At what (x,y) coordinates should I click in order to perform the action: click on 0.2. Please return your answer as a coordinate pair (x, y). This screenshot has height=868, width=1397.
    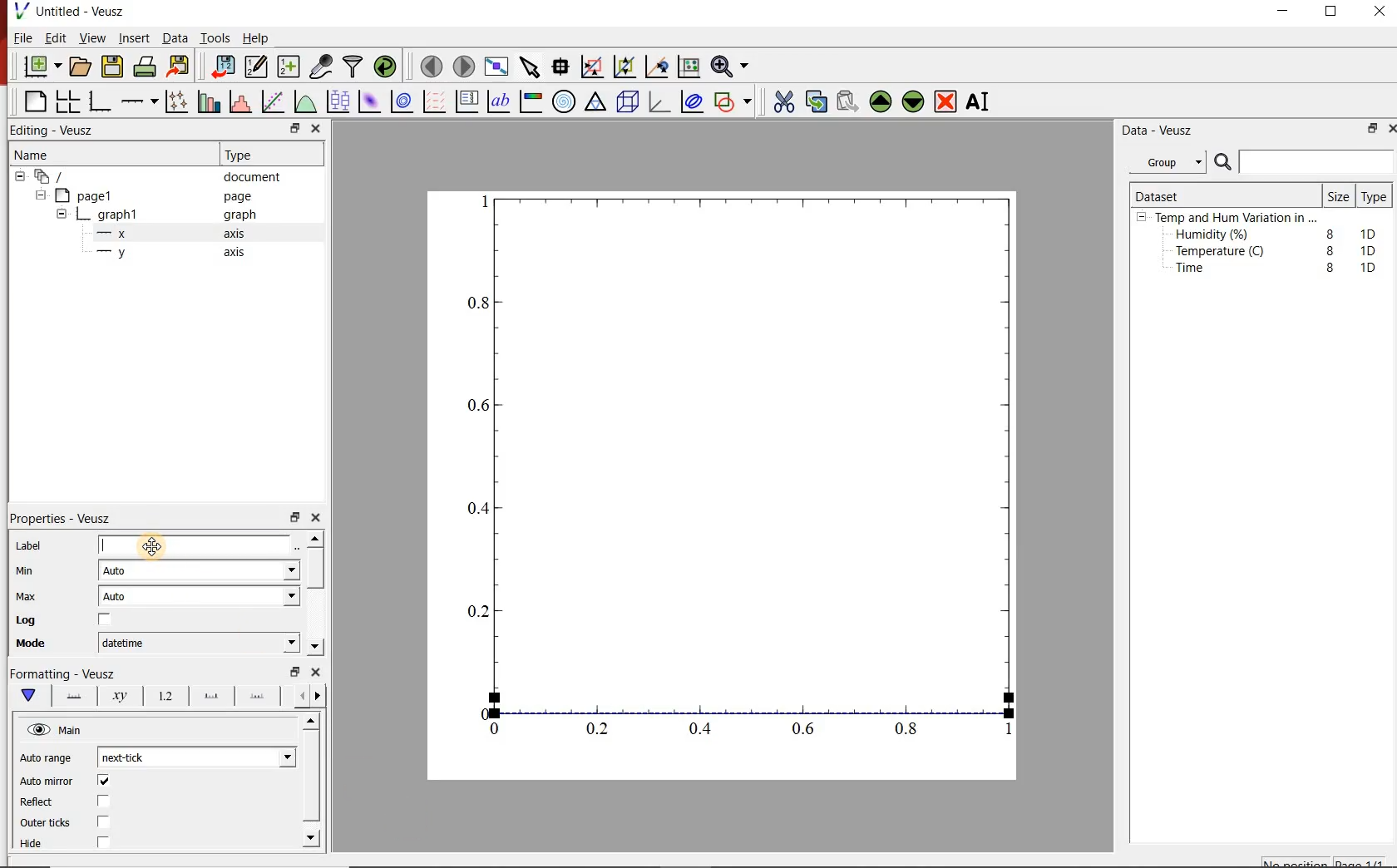
    Looking at the image, I should click on (476, 611).